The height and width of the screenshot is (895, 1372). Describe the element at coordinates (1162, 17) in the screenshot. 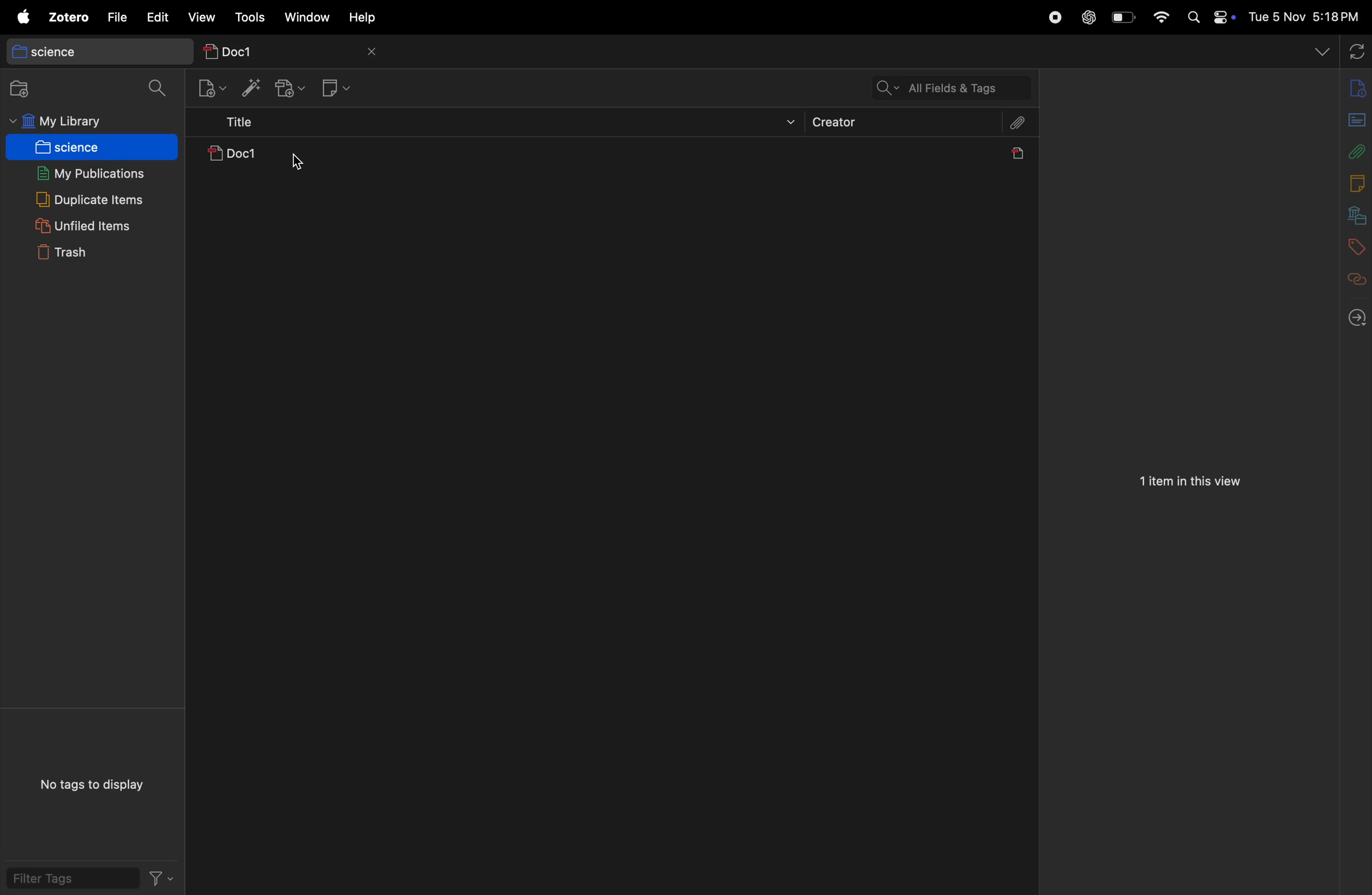

I see `wifi` at that location.